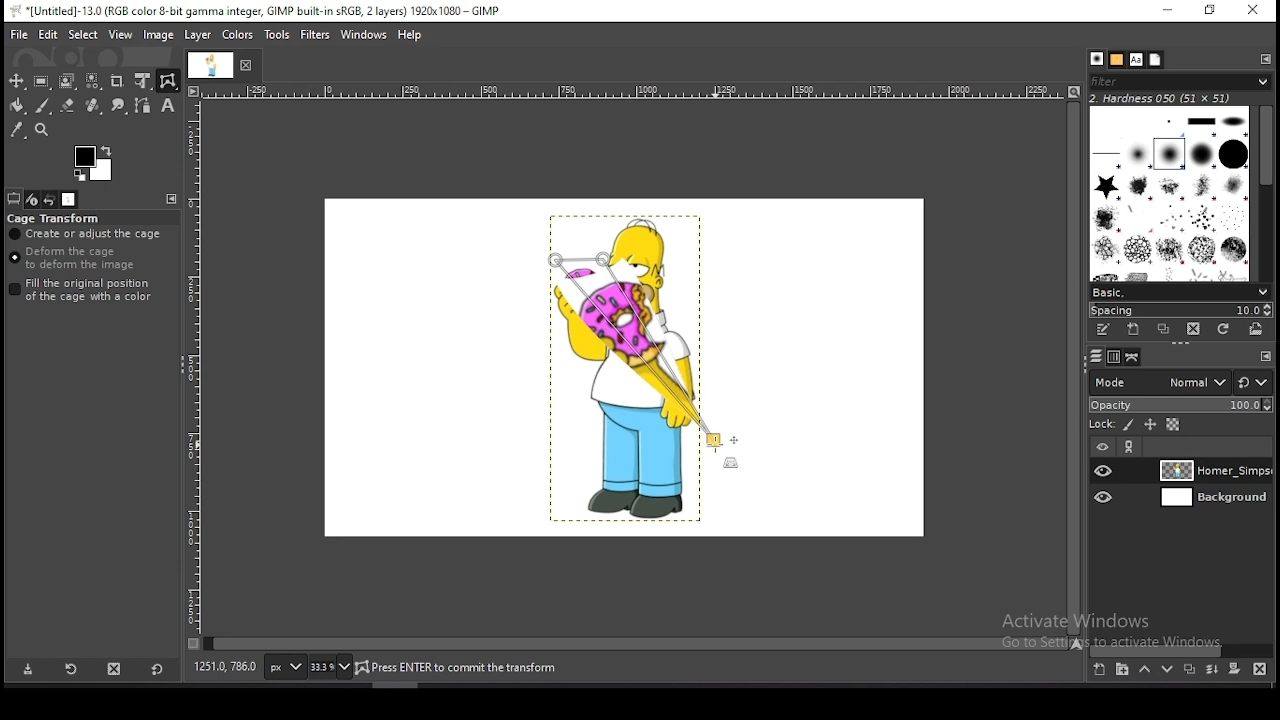  What do you see at coordinates (1136, 331) in the screenshot?
I see `create a new brush` at bounding box center [1136, 331].